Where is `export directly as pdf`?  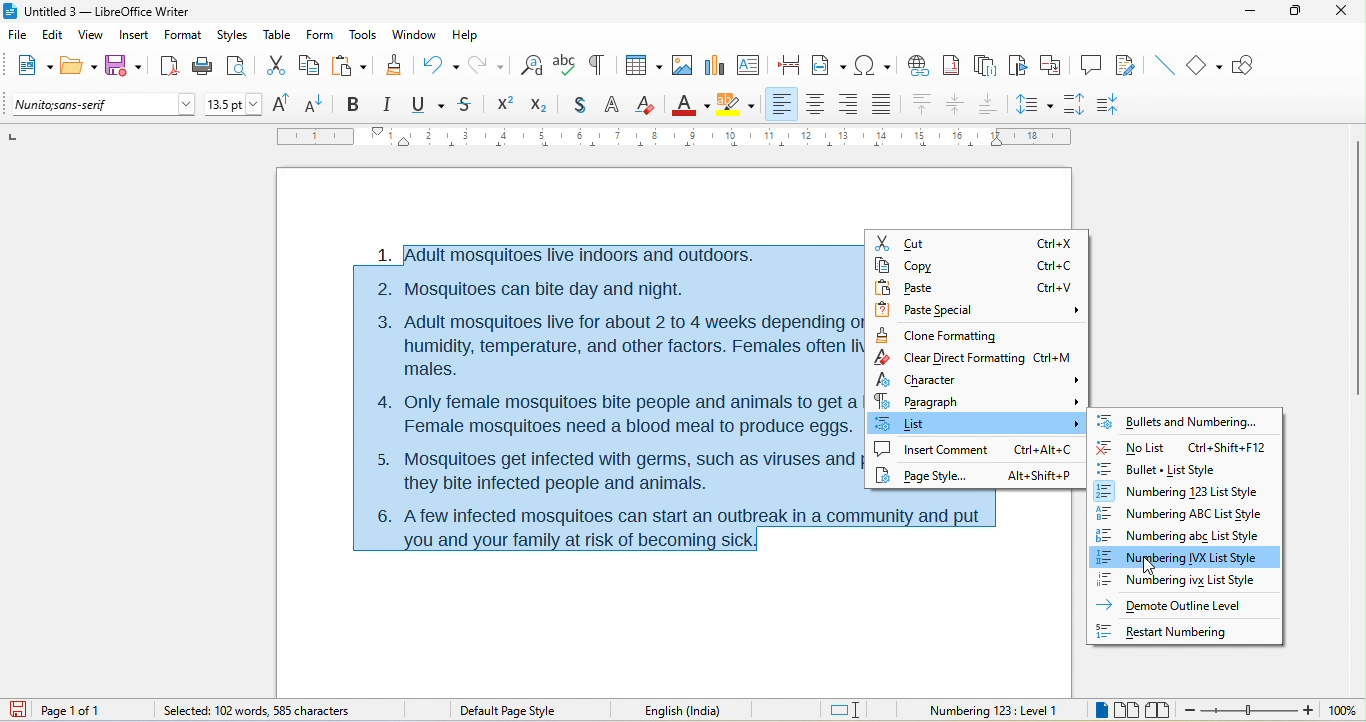 export directly as pdf is located at coordinates (168, 66).